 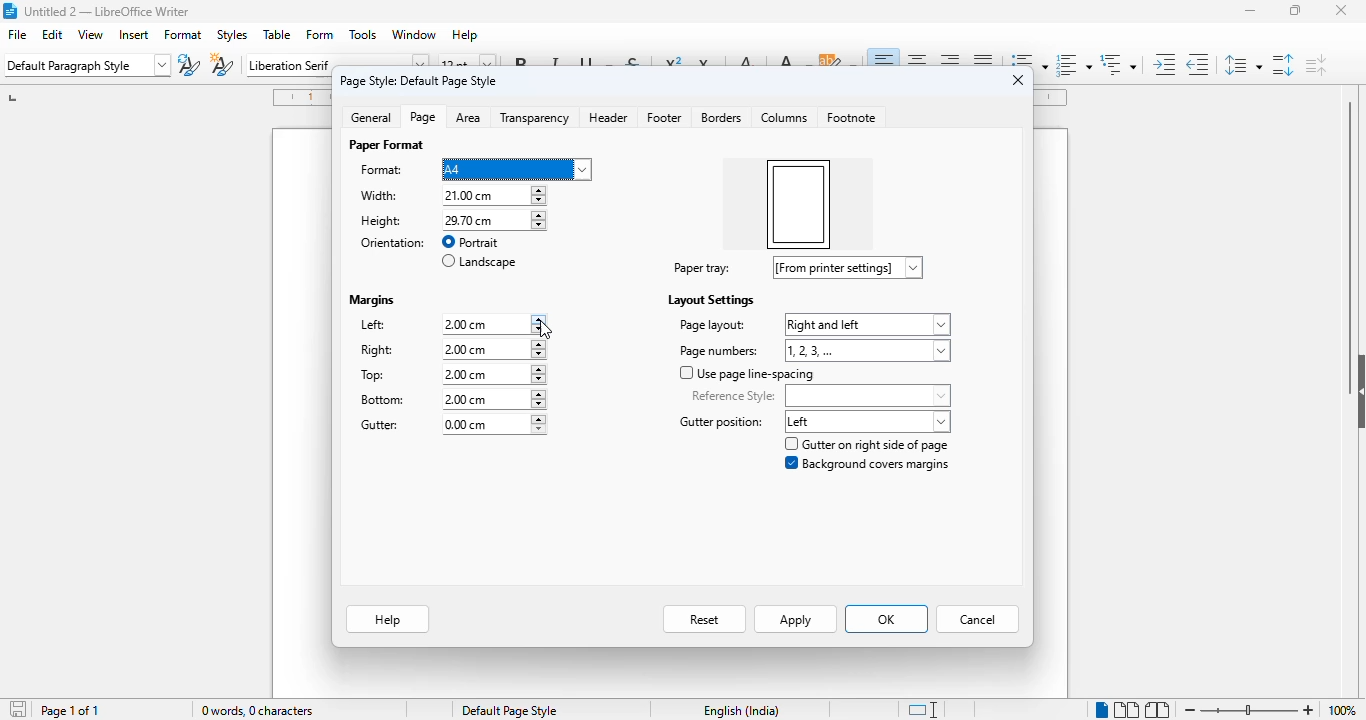 I want to click on reset, so click(x=702, y=619).